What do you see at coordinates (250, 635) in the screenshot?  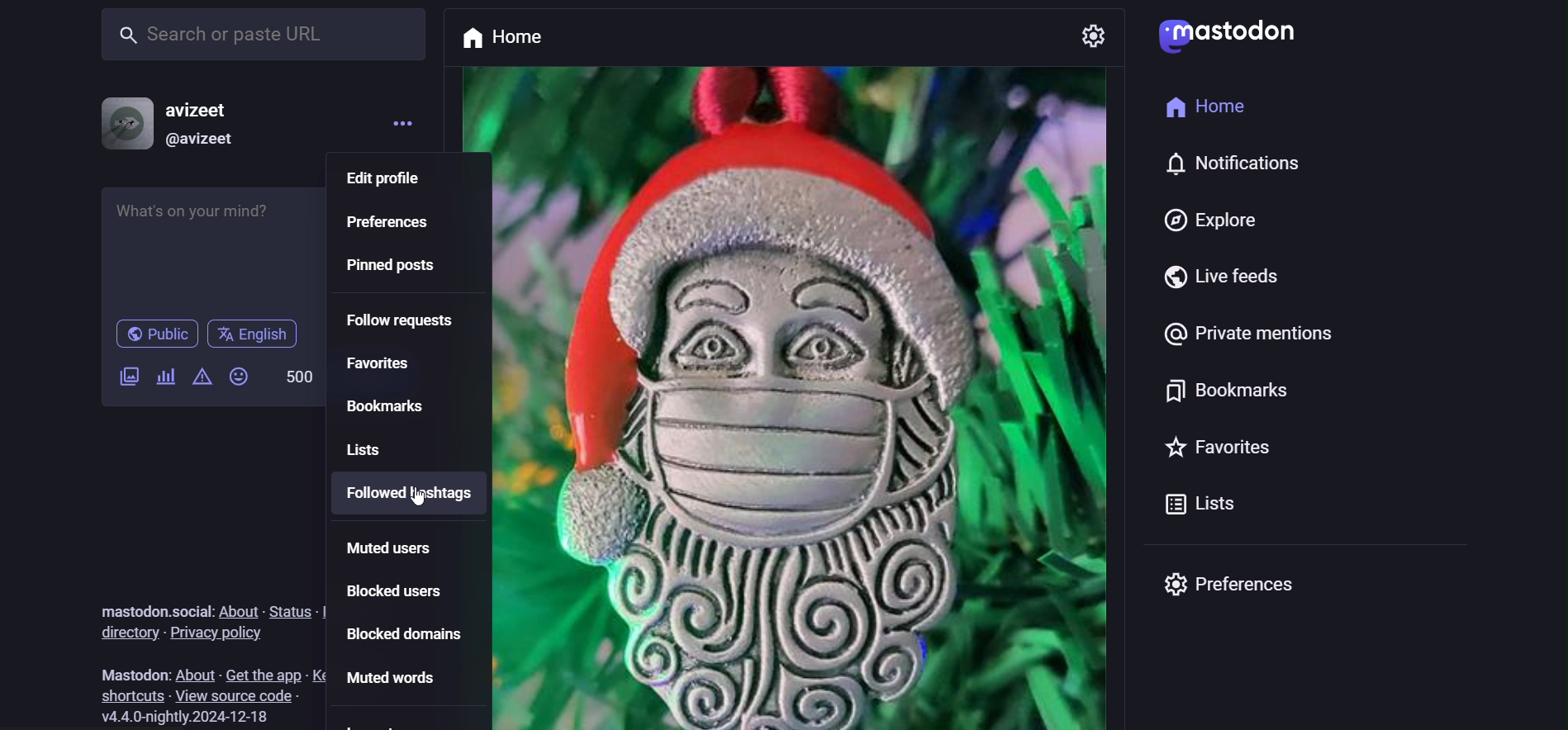 I see `privacy policy` at bounding box center [250, 635].